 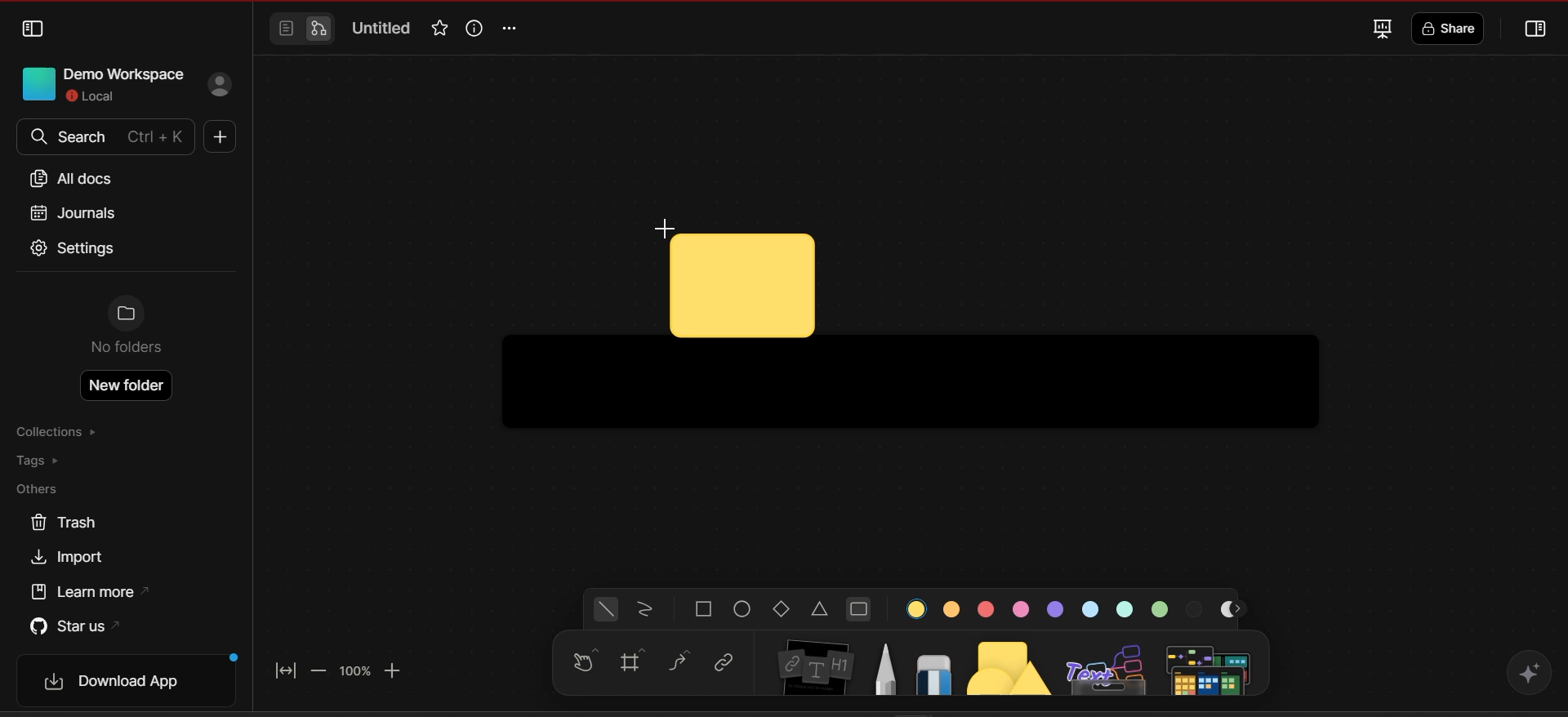 I want to click on sign in profile, so click(x=222, y=86).